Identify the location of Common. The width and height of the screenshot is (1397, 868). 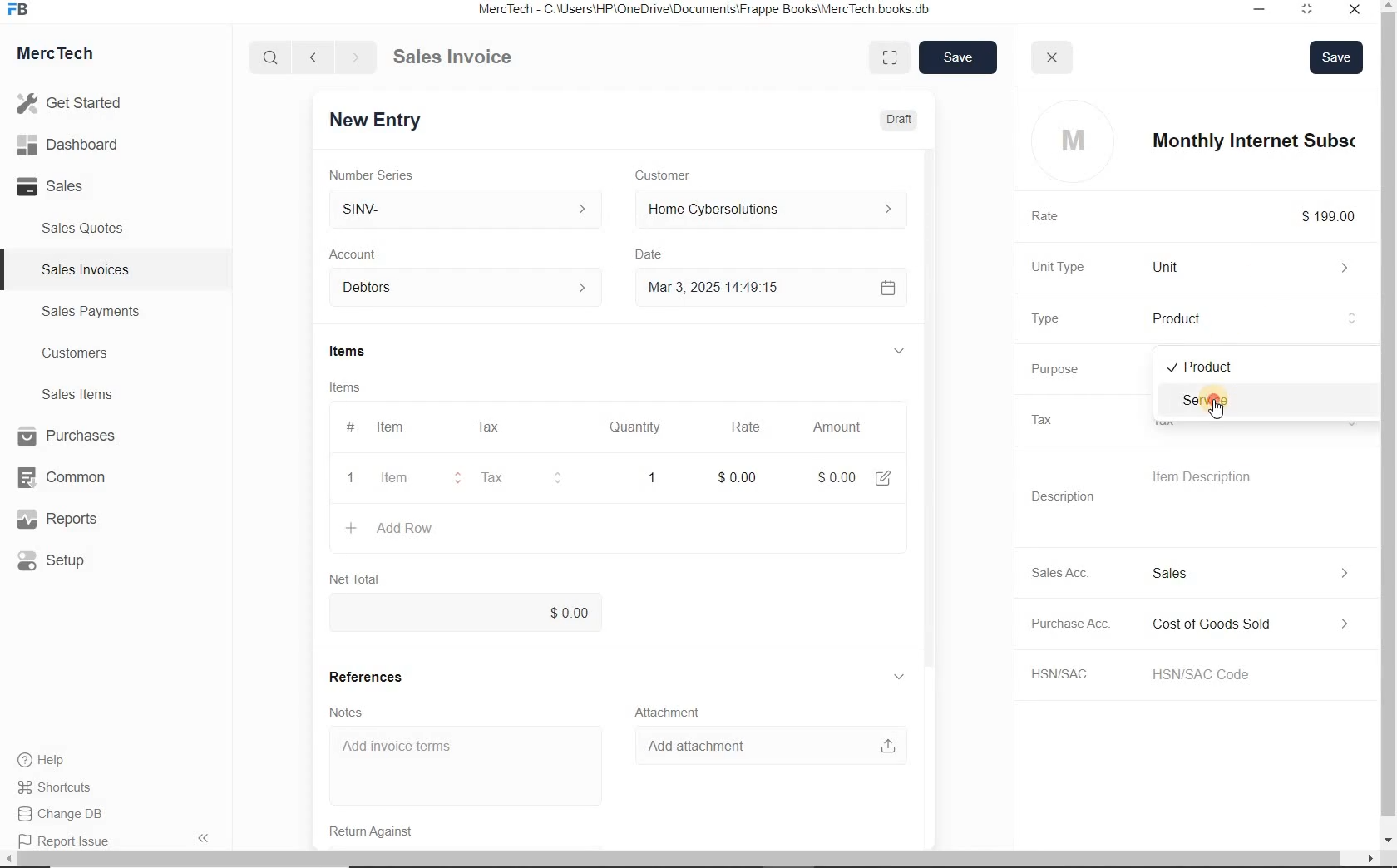
(69, 476).